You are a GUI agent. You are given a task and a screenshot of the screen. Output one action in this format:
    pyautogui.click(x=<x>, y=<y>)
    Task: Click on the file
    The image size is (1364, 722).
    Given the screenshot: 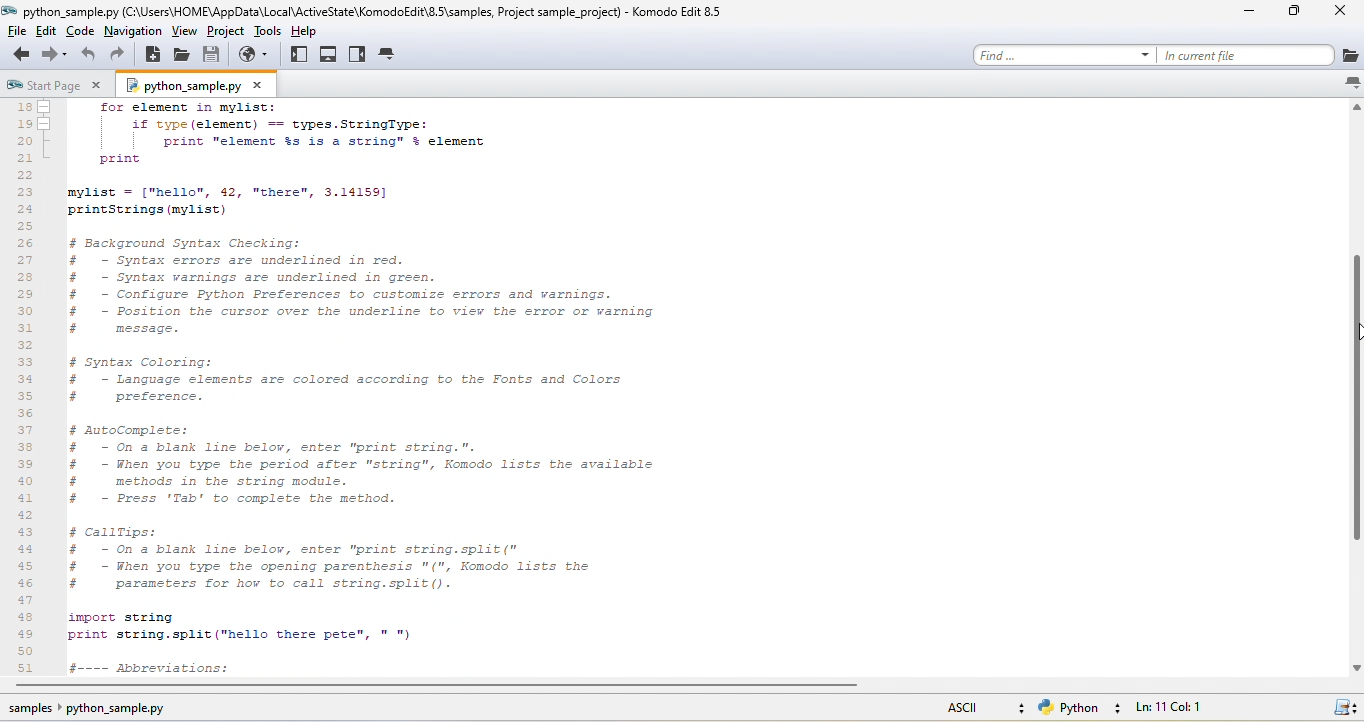 What is the action you would take?
    pyautogui.click(x=15, y=31)
    